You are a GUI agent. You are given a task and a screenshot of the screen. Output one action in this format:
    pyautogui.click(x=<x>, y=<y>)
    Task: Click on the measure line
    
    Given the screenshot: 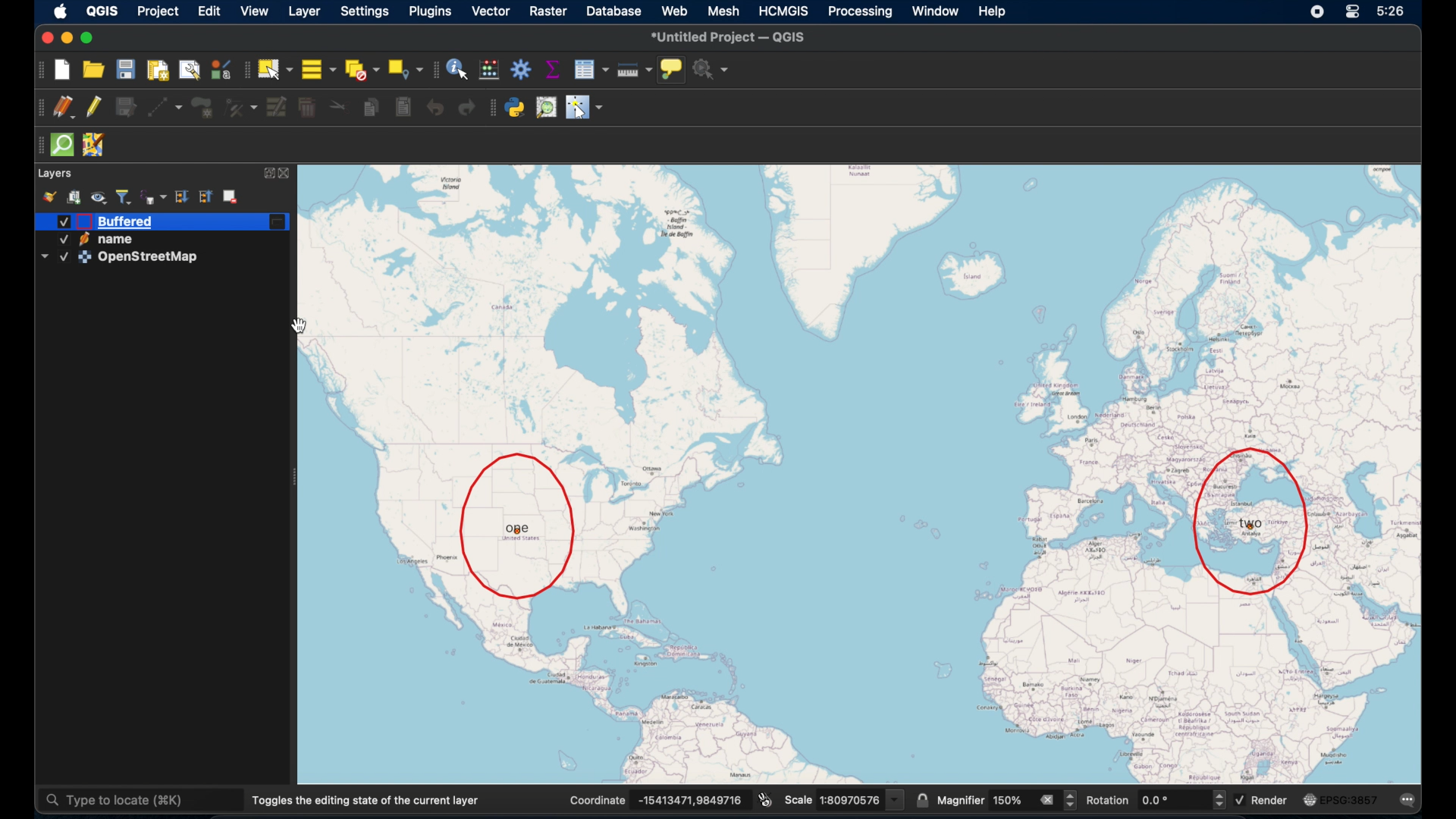 What is the action you would take?
    pyautogui.click(x=635, y=70)
    